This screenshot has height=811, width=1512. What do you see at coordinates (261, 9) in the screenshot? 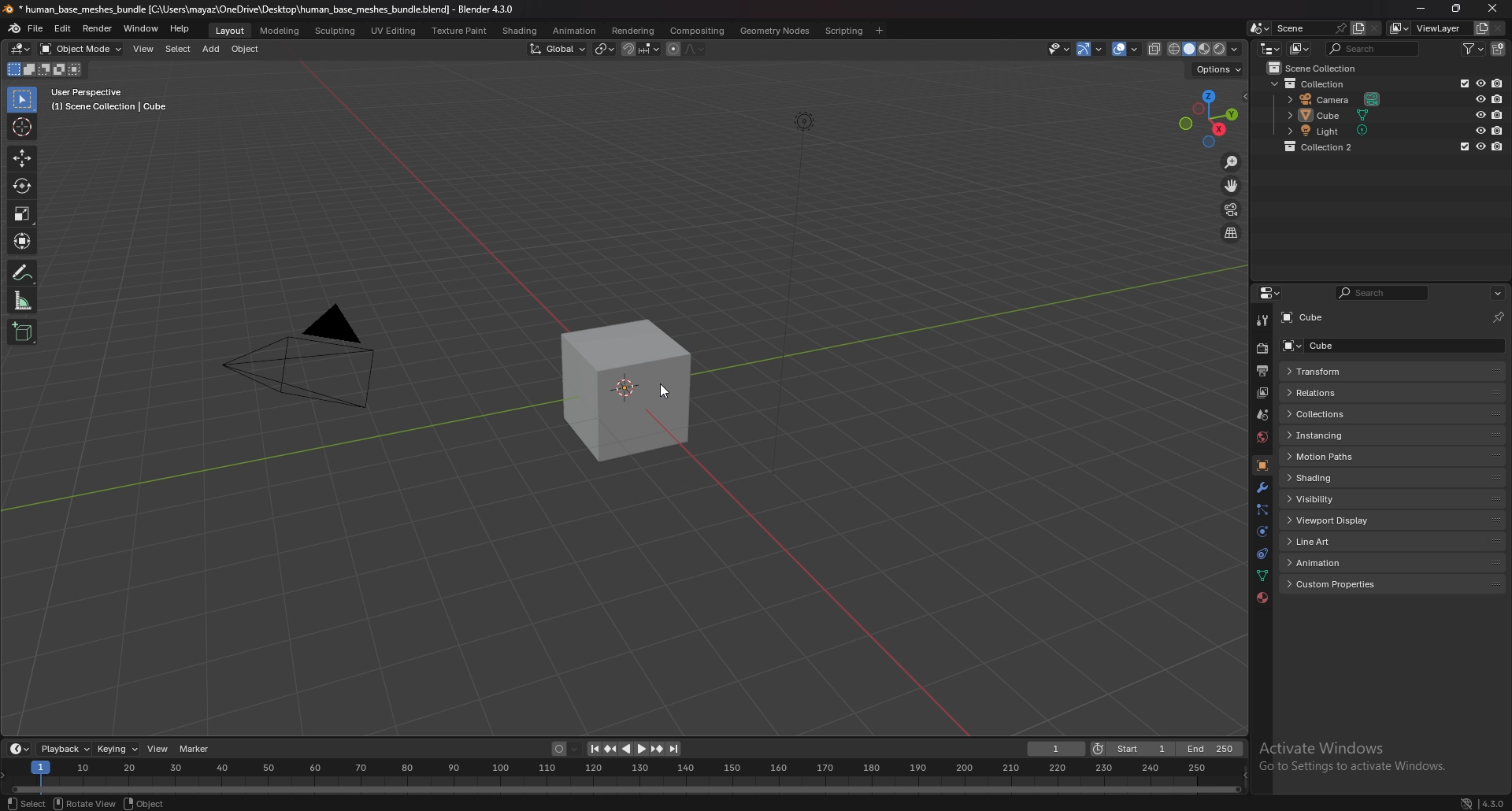
I see `title` at bounding box center [261, 9].